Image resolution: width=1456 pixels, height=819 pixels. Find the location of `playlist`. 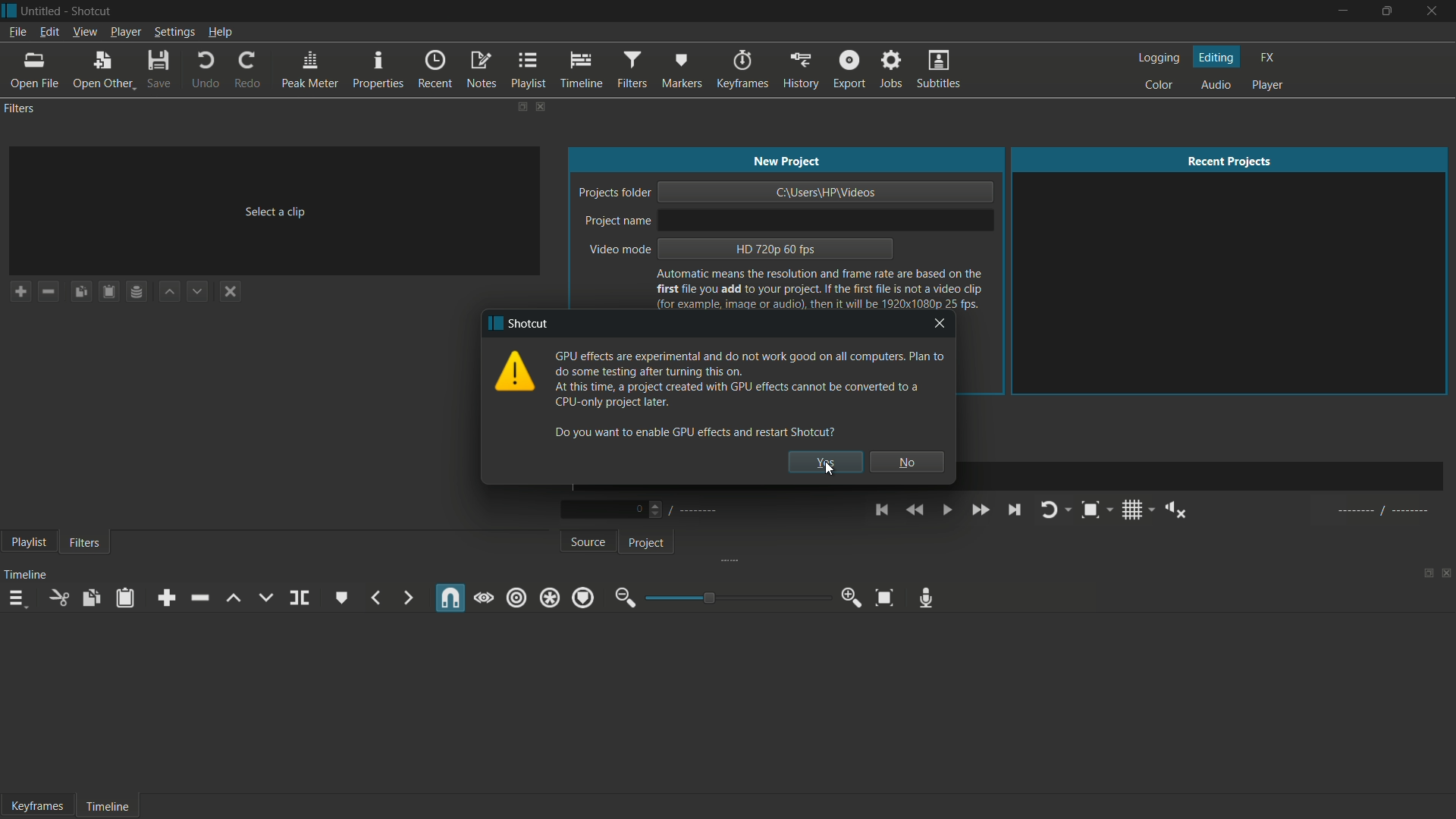

playlist is located at coordinates (529, 71).